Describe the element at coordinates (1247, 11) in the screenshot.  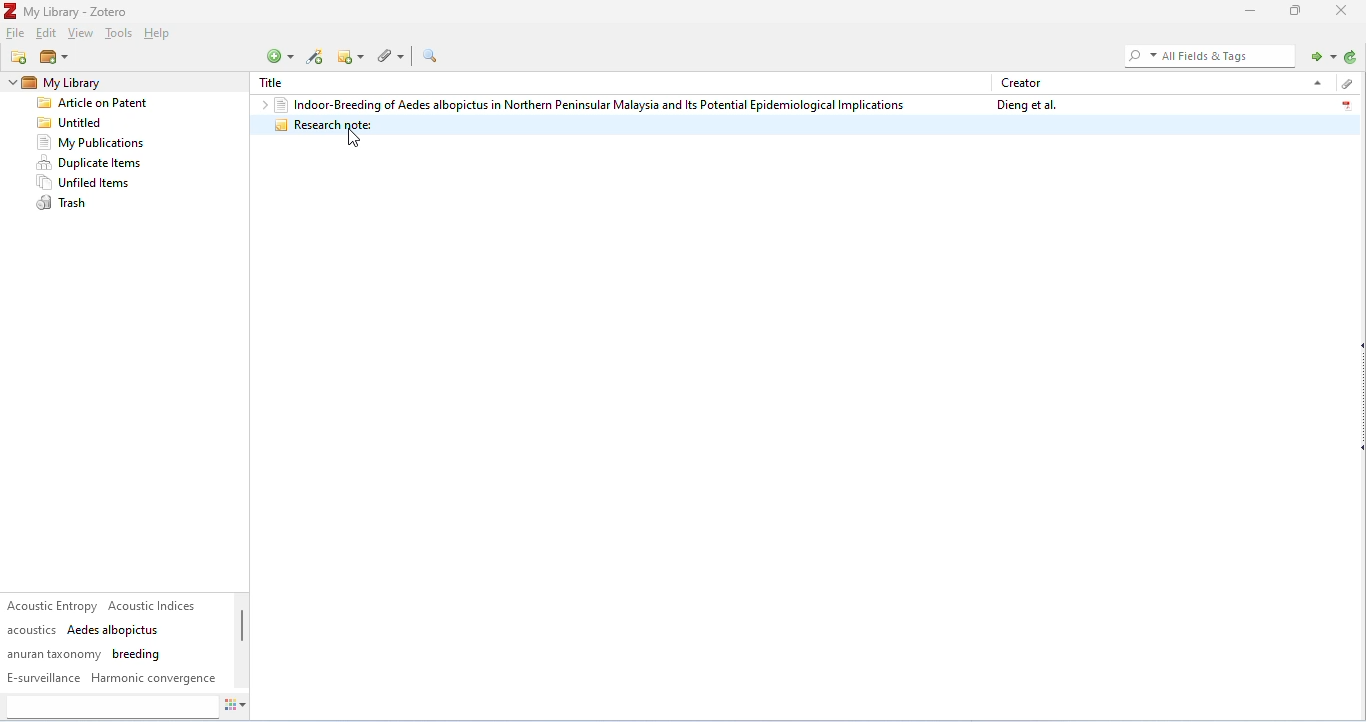
I see `minimize` at that location.